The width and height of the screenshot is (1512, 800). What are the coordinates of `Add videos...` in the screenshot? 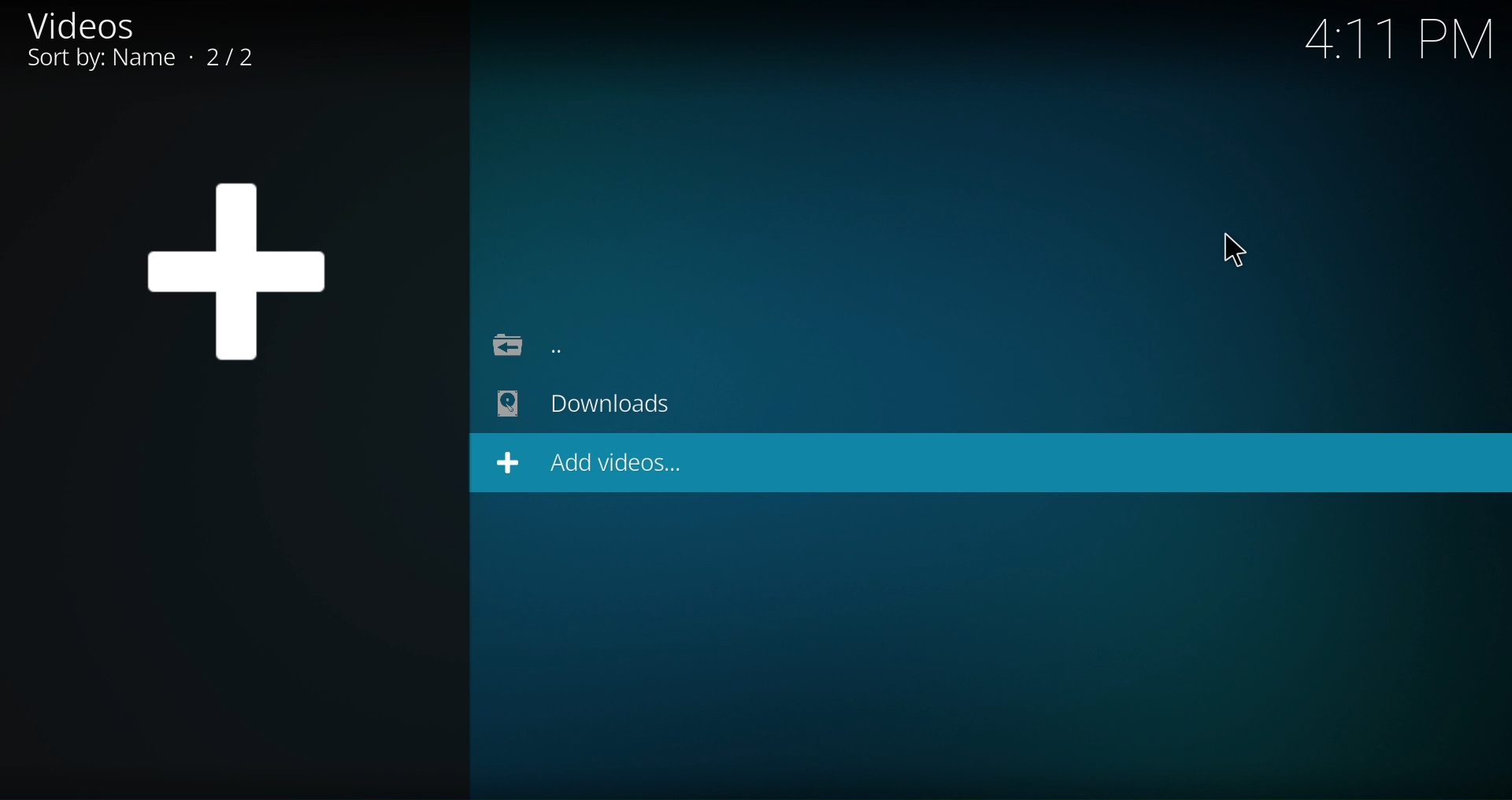 It's located at (614, 460).